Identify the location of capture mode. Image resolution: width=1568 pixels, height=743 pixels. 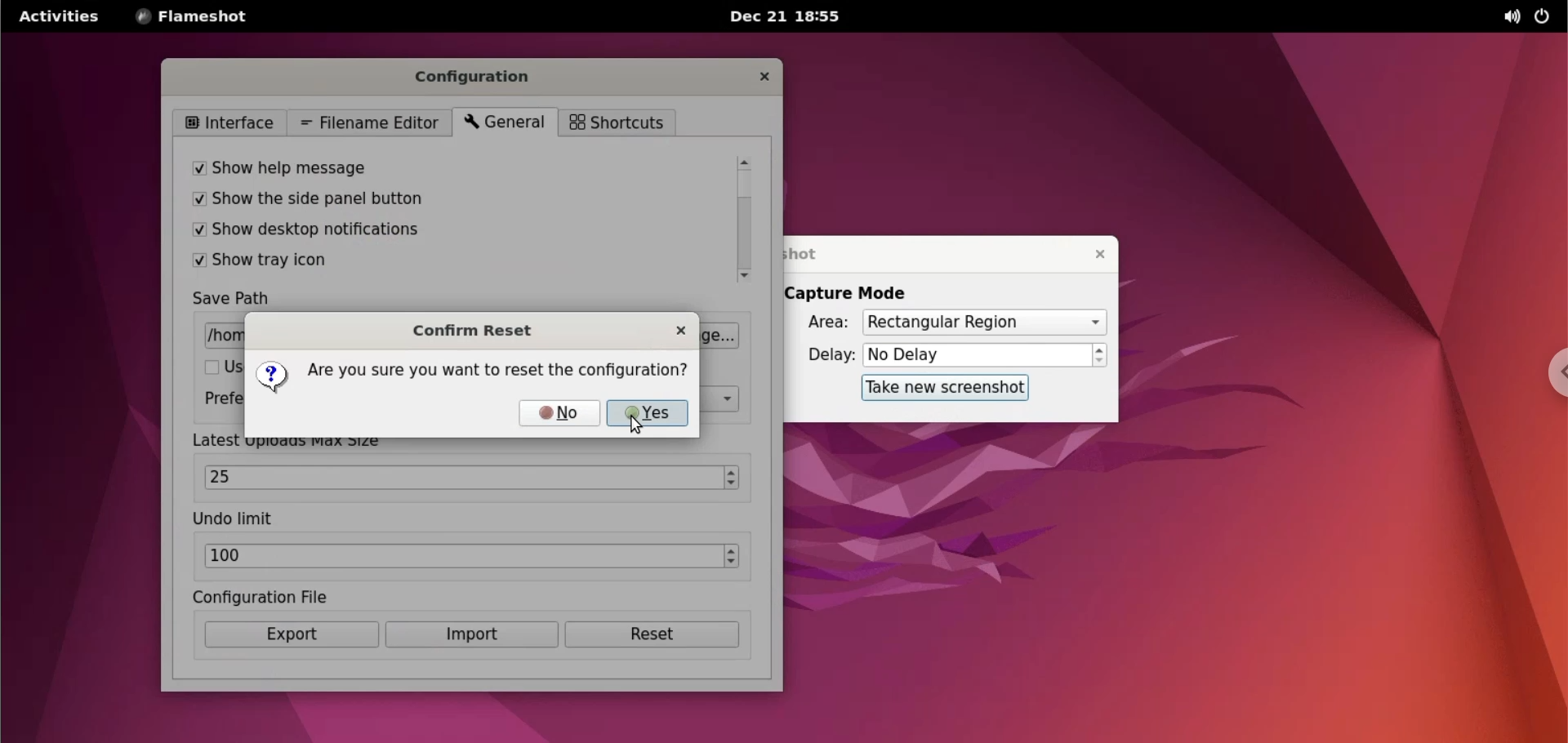
(851, 293).